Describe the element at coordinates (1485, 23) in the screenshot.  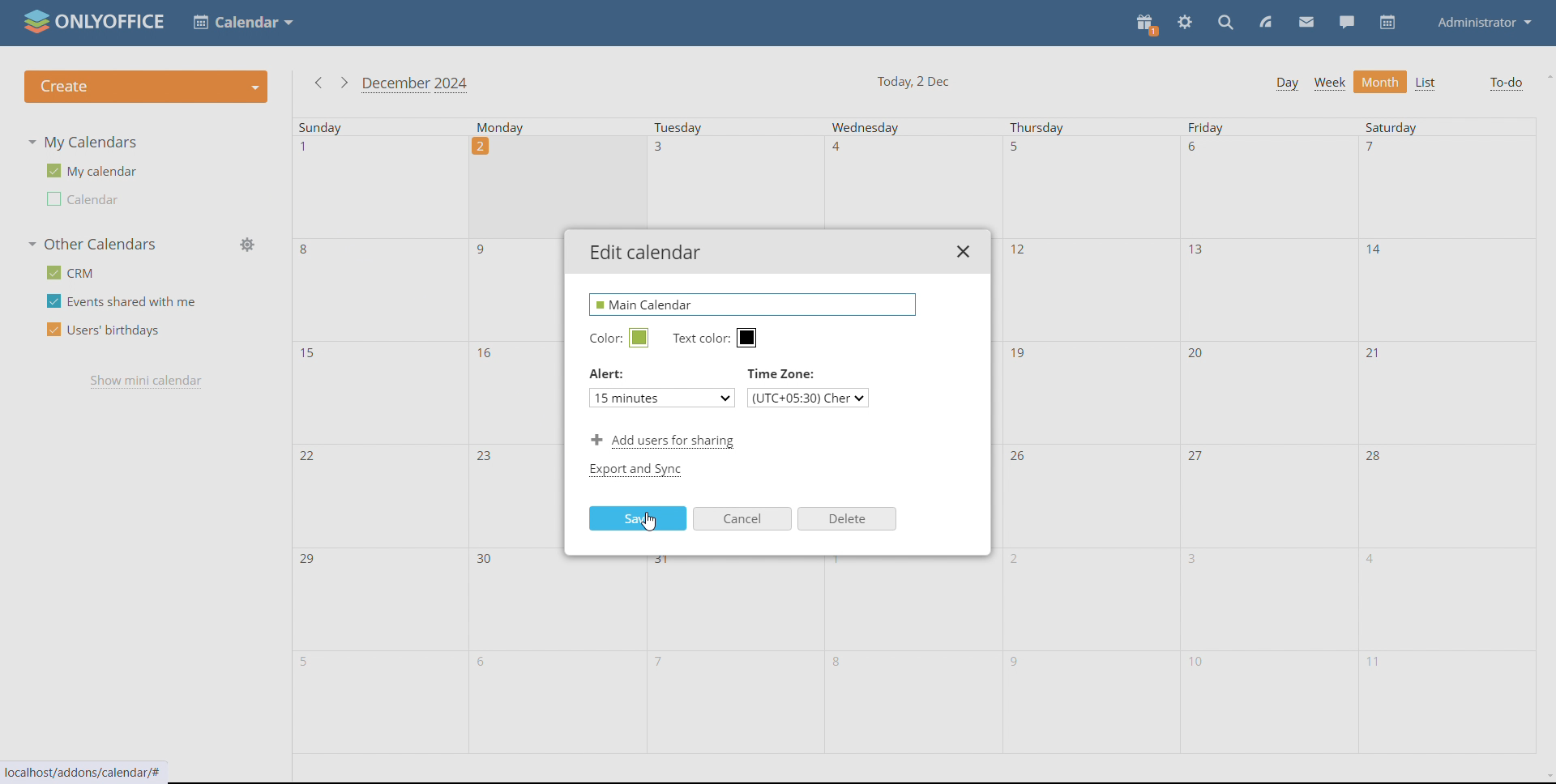
I see `administrator` at that location.